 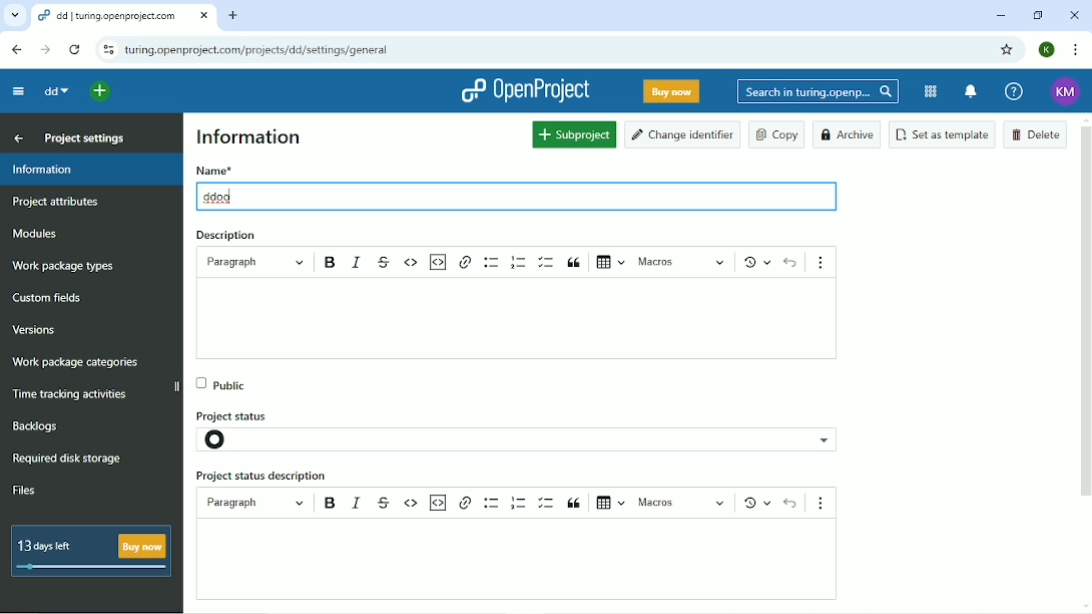 What do you see at coordinates (25, 491) in the screenshot?
I see `Files` at bounding box center [25, 491].